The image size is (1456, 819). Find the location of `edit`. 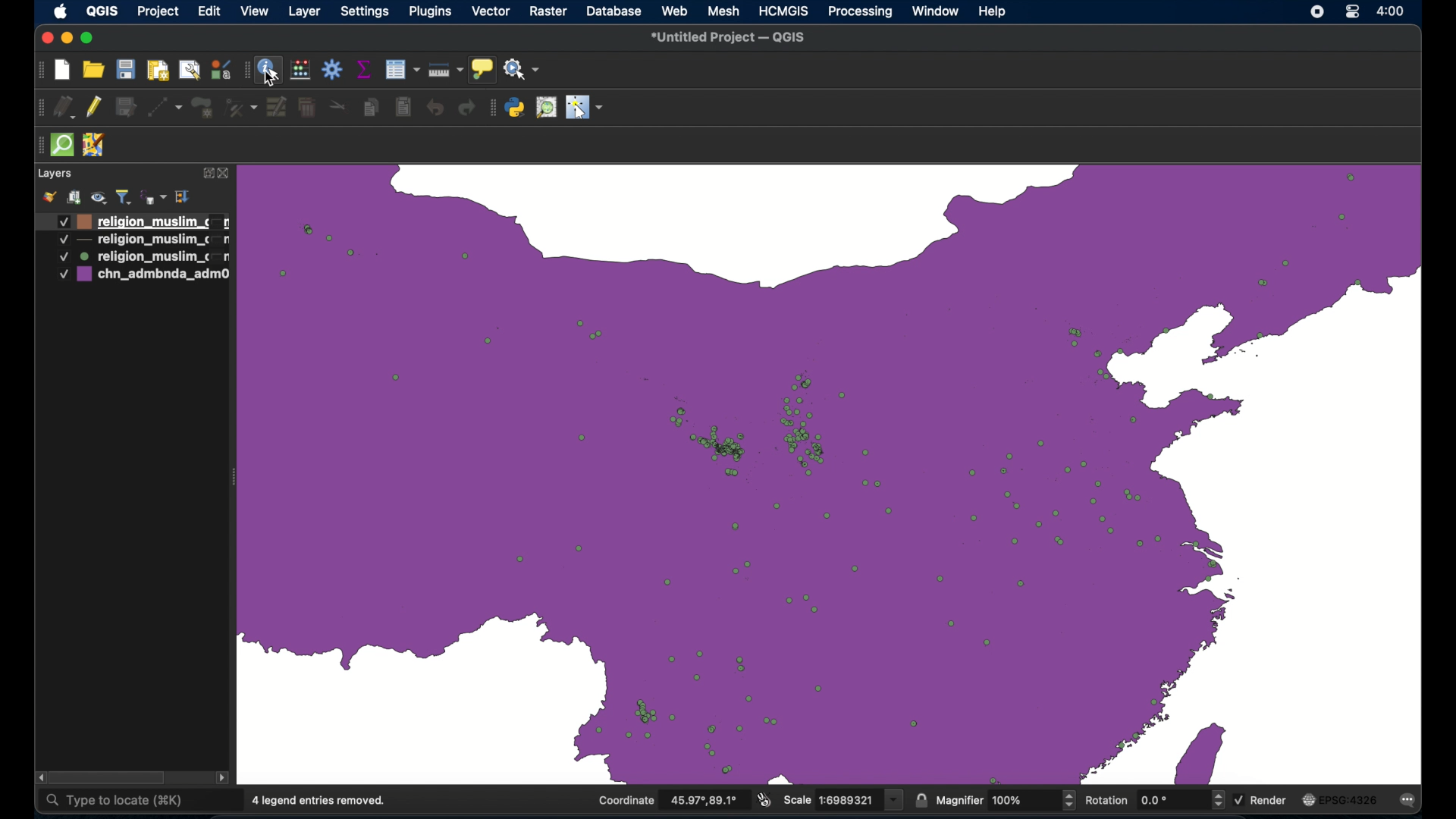

edit is located at coordinates (209, 11).